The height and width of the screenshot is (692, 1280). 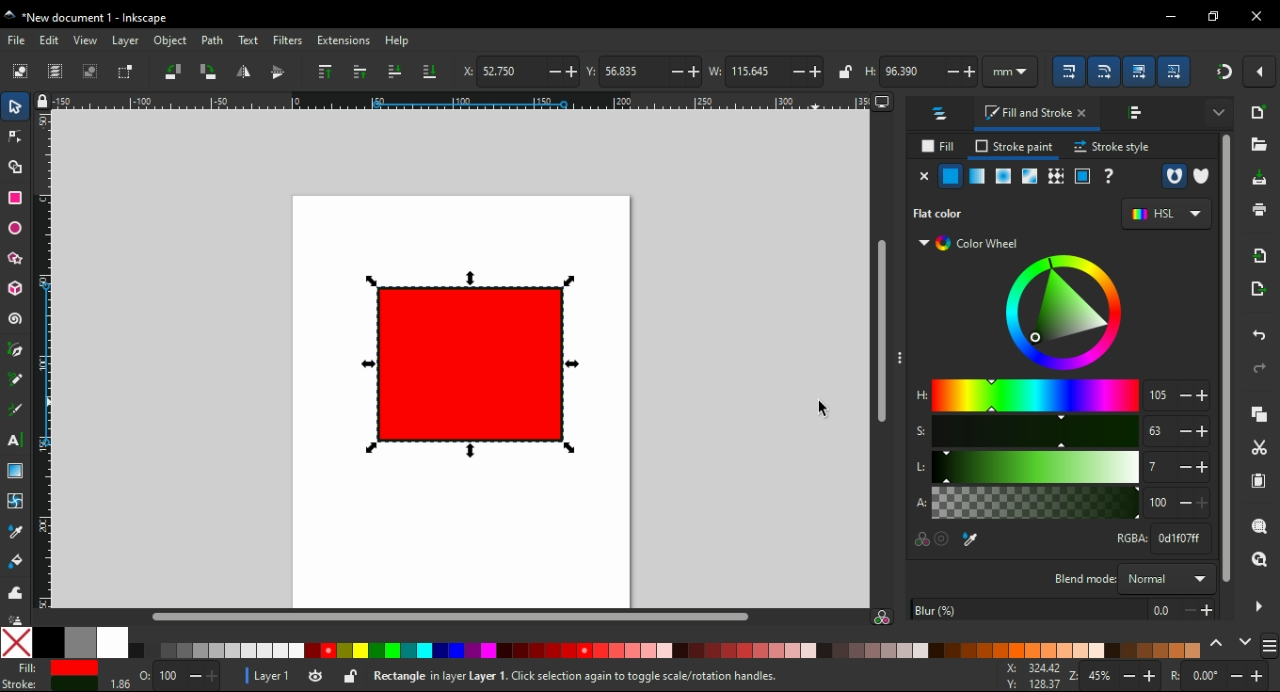 What do you see at coordinates (600, 643) in the screenshot?
I see `color options` at bounding box center [600, 643].